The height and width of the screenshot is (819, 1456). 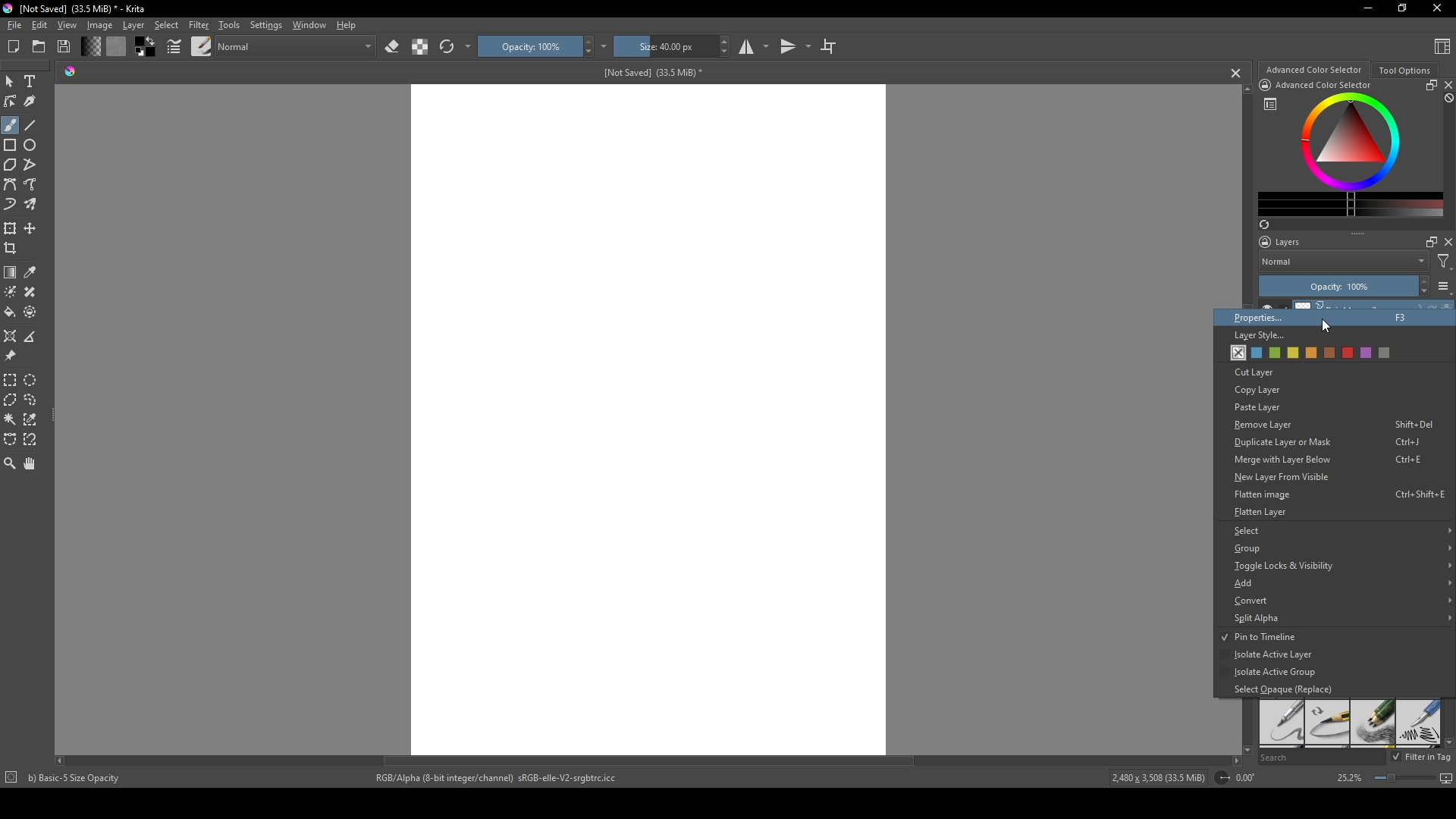 I want to click on file, so click(x=14, y=26).